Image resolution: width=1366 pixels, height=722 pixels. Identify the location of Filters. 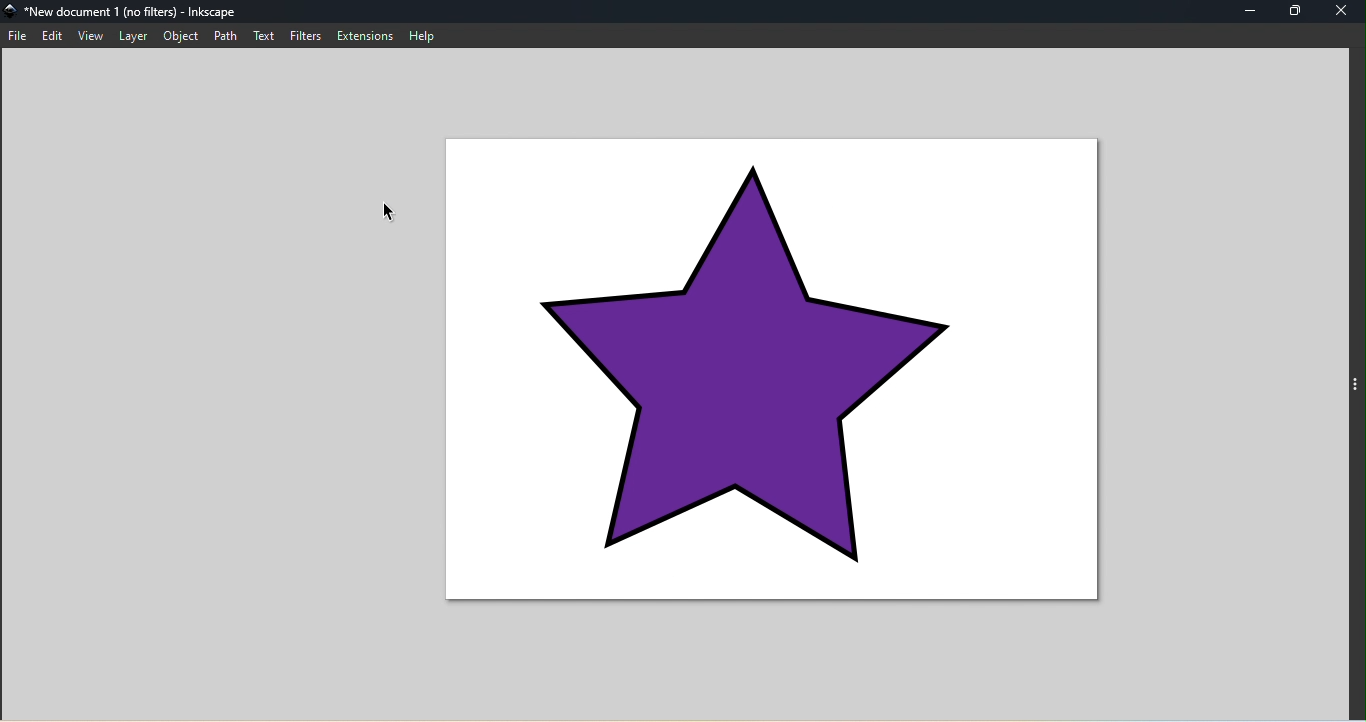
(305, 34).